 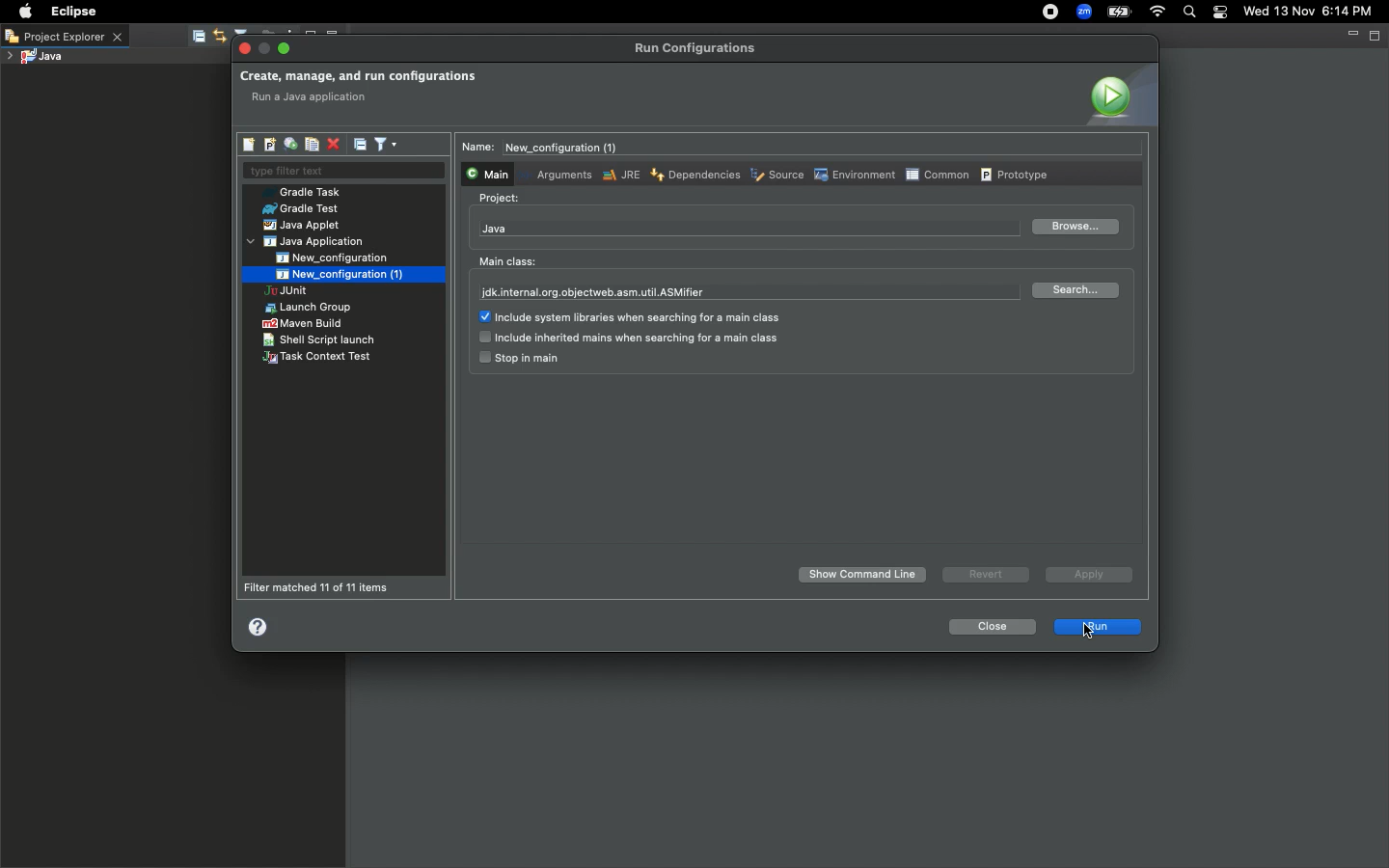 I want to click on Clicking on apply, so click(x=1087, y=577).